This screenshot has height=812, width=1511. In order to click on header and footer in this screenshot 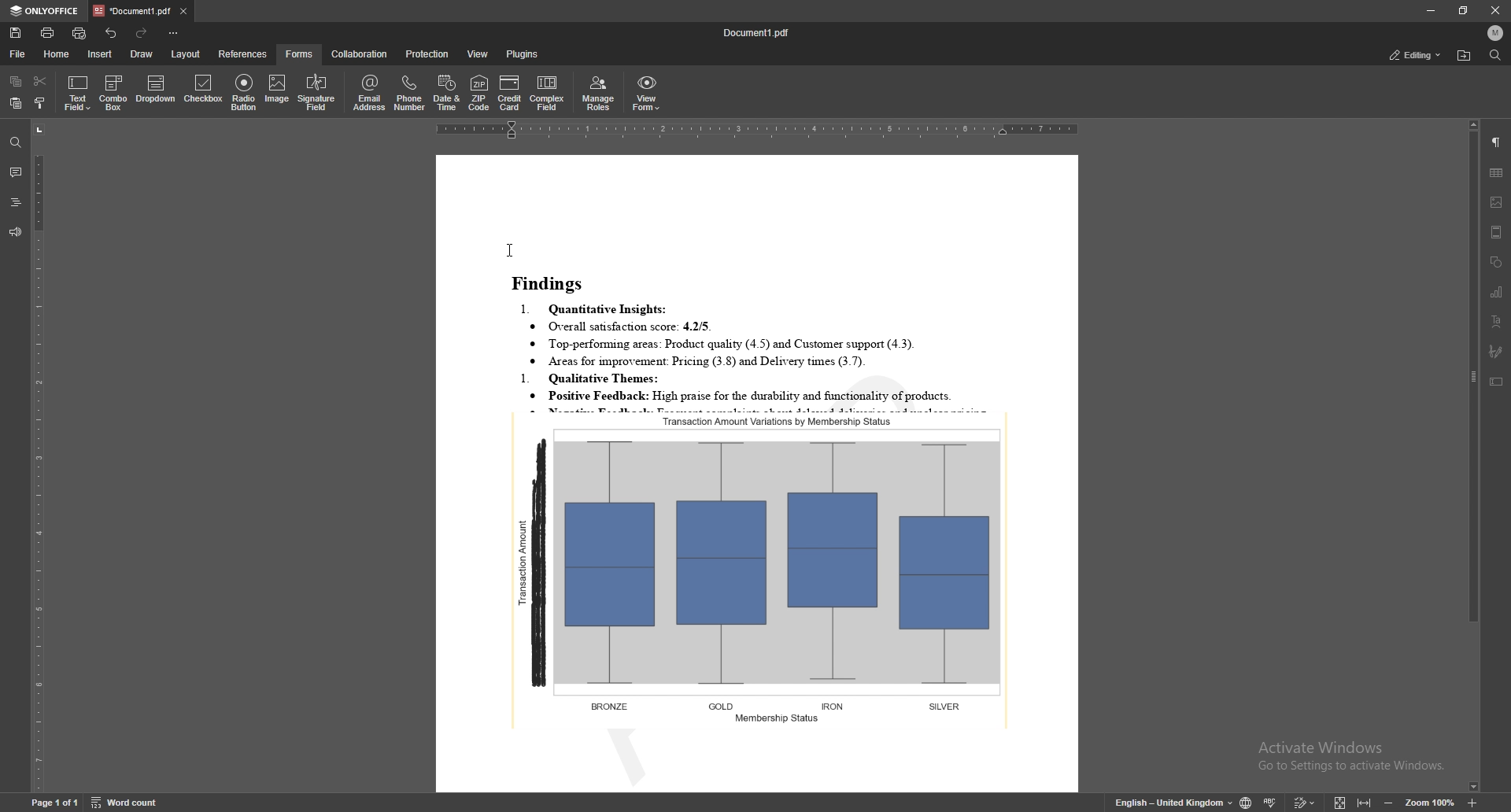, I will do `click(1496, 232)`.